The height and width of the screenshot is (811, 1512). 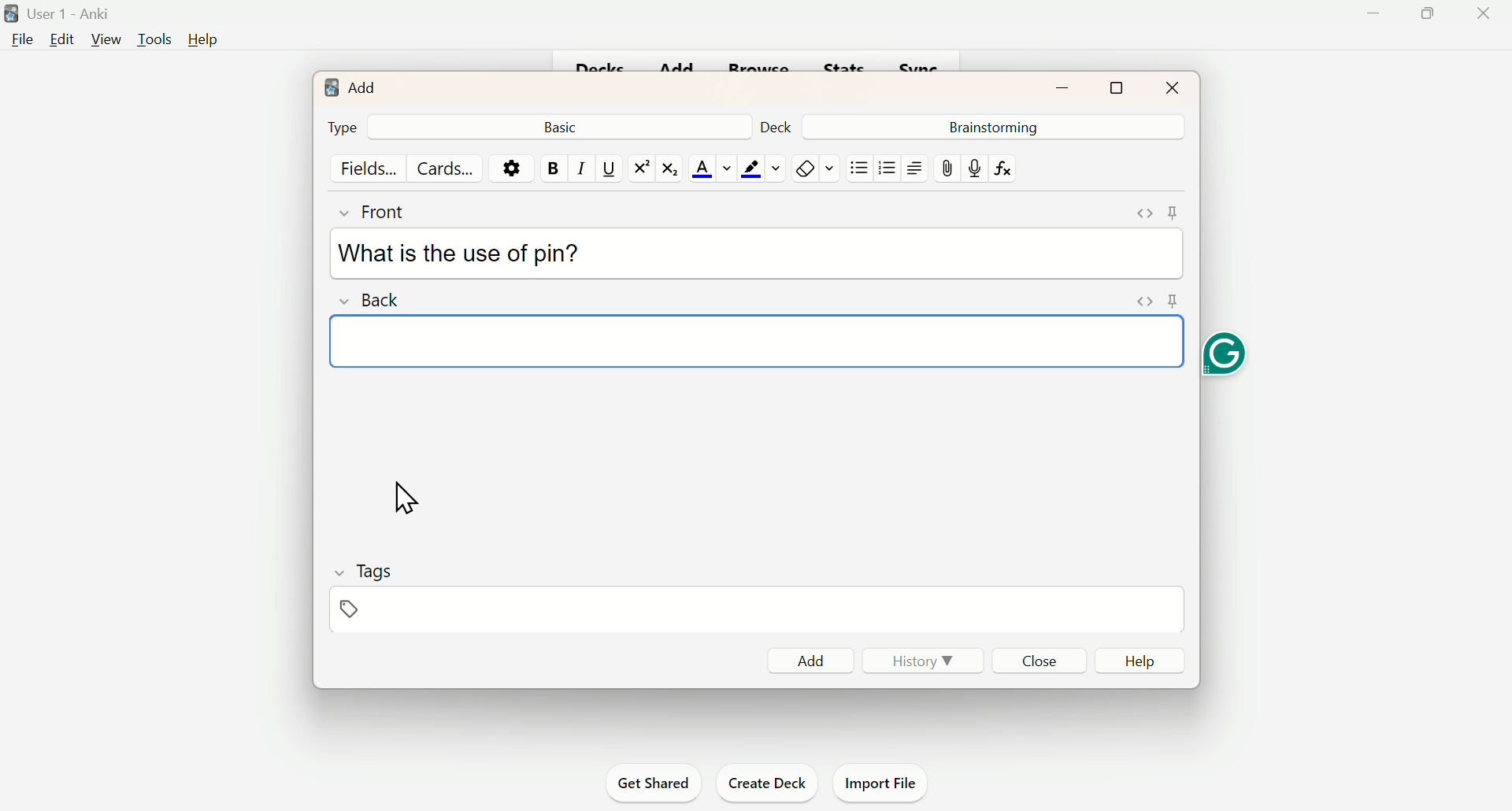 I want to click on Create Deck, so click(x=764, y=781).